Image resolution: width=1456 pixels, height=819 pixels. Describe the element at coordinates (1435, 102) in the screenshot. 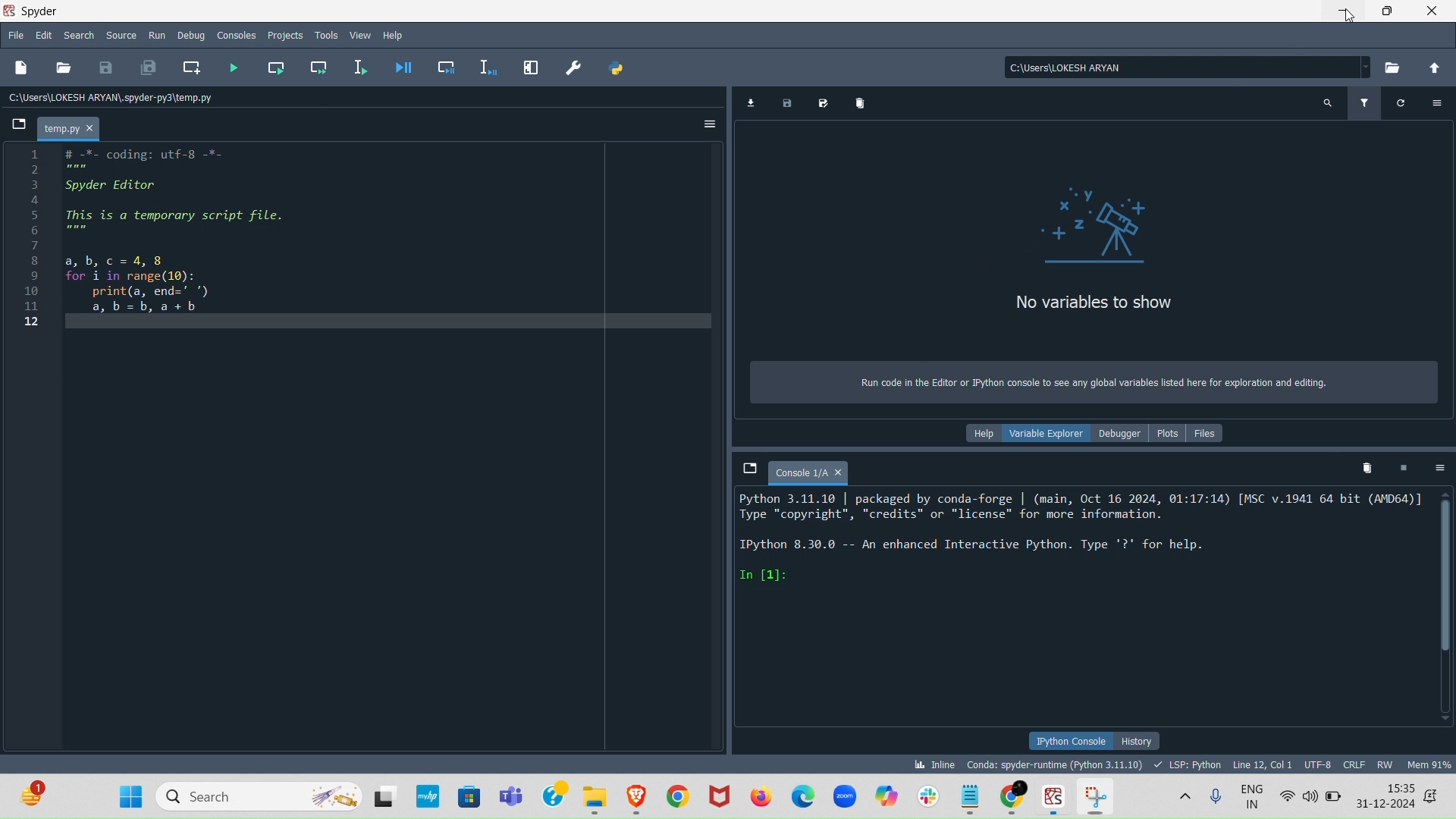

I see `Options` at that location.